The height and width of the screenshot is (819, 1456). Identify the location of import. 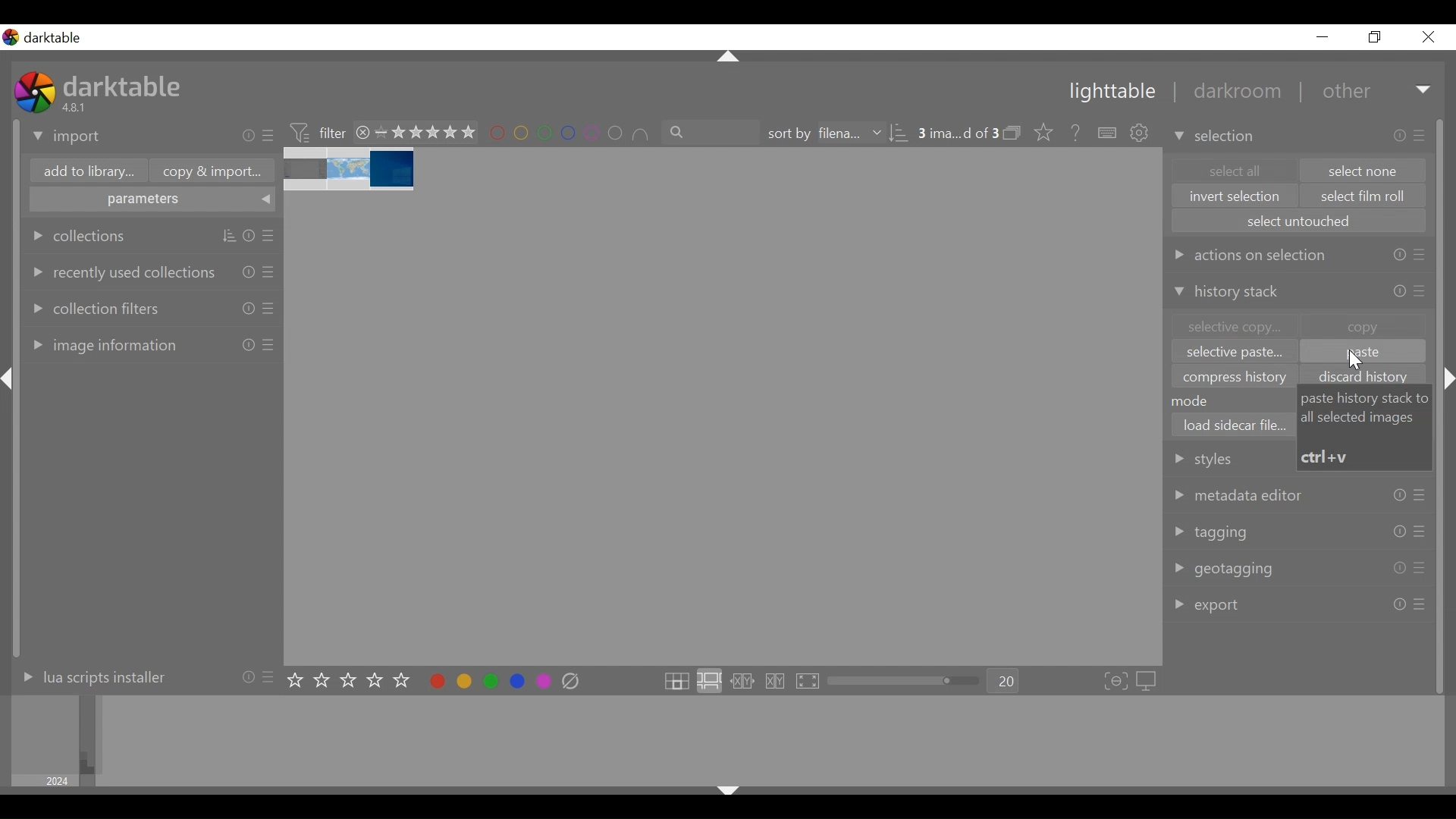
(67, 137).